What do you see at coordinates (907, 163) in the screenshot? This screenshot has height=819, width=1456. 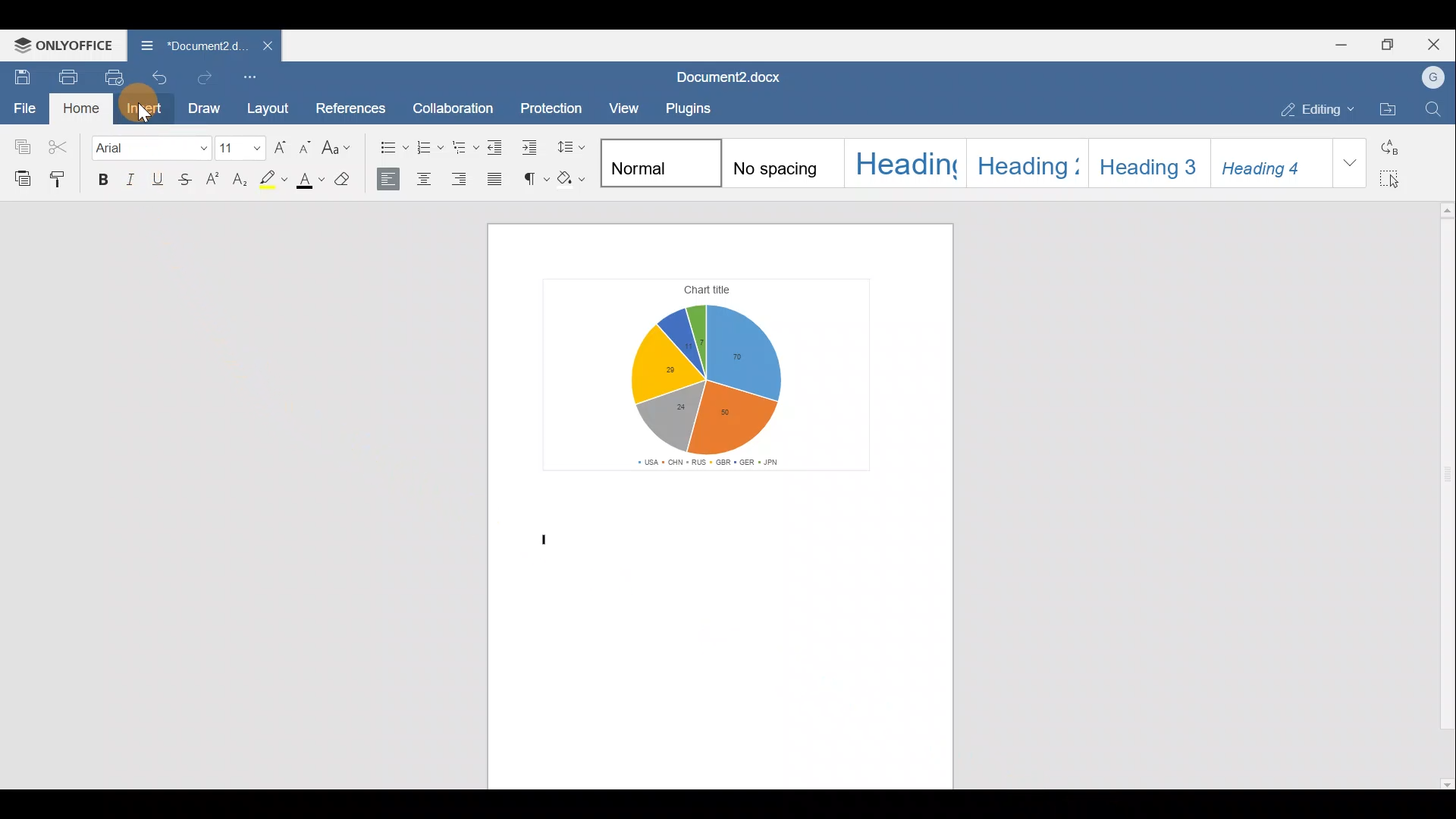 I see `Style 3` at bounding box center [907, 163].